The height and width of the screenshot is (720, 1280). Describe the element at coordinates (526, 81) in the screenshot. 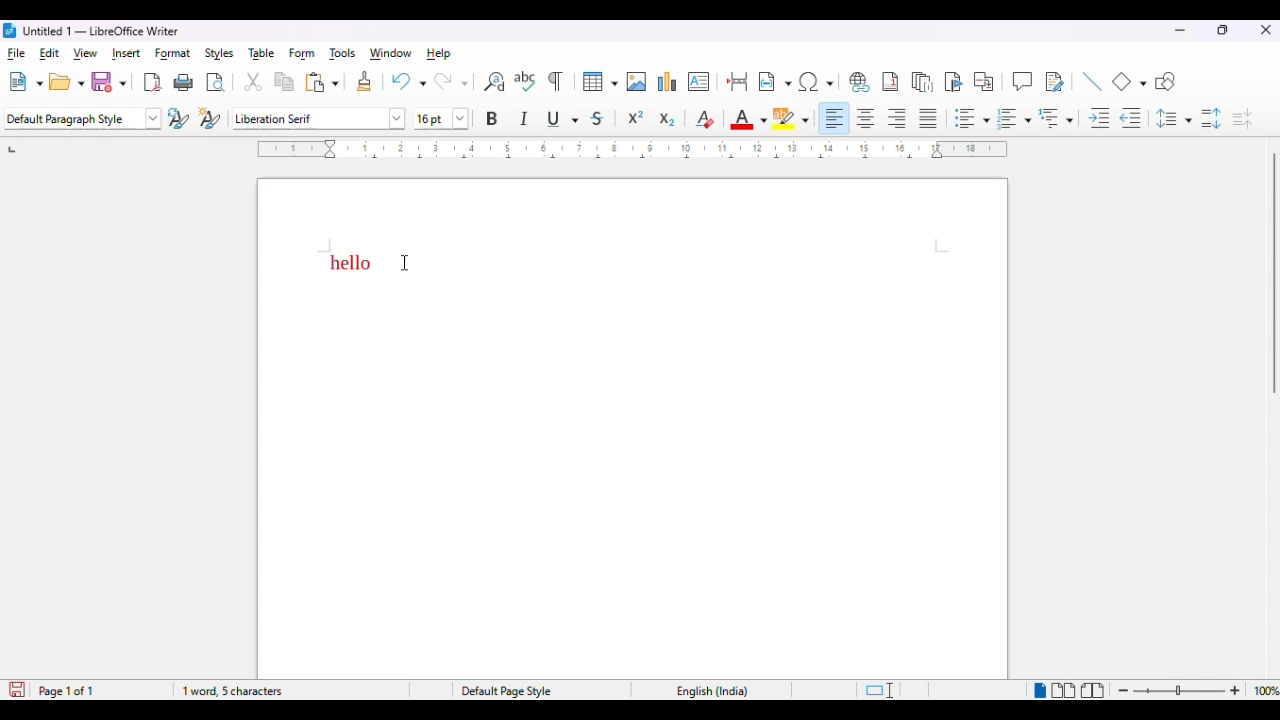

I see `check spelling` at that location.